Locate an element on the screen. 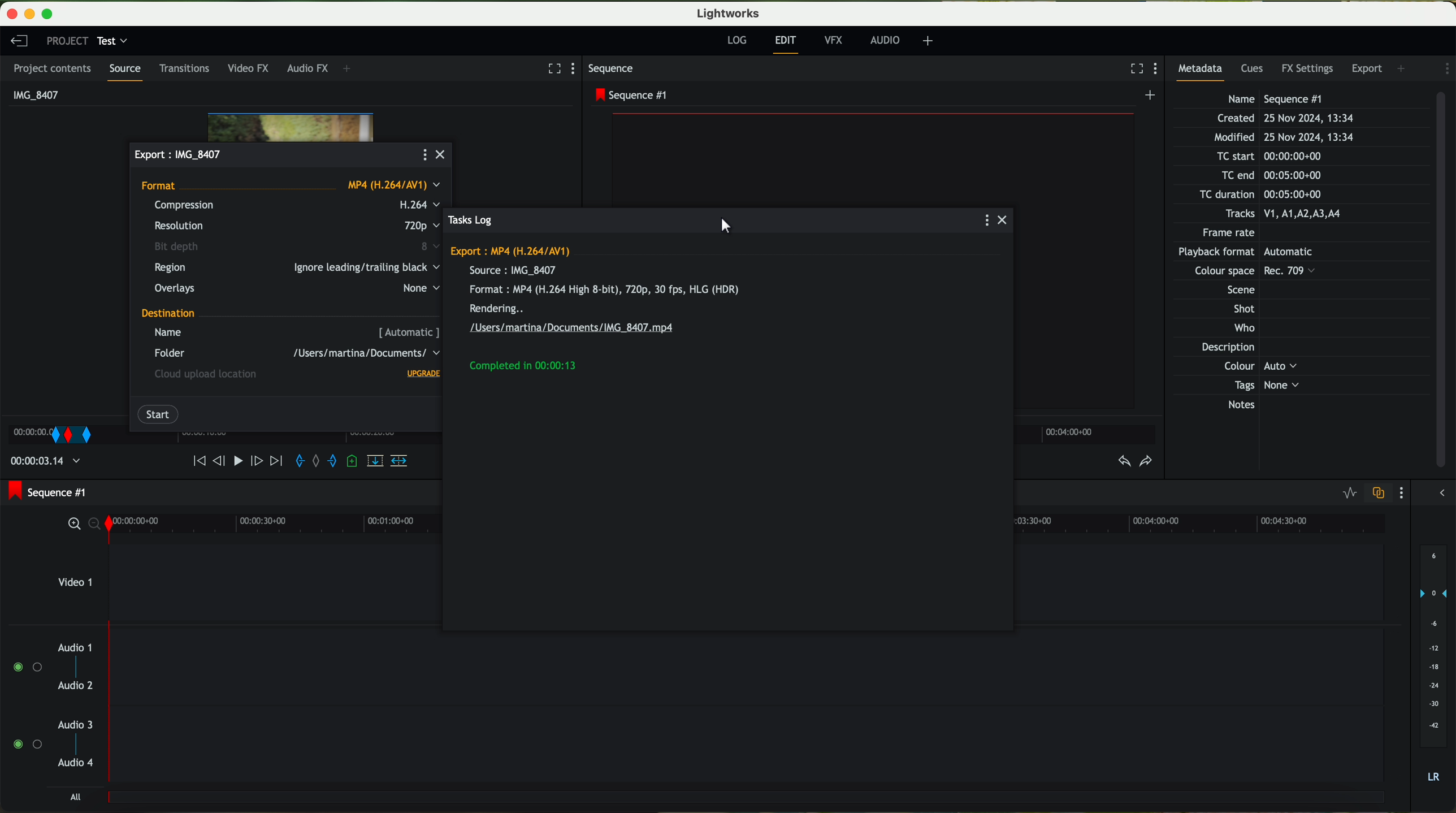 This screenshot has height=813, width=1456. Tags None is located at coordinates (1263, 385).